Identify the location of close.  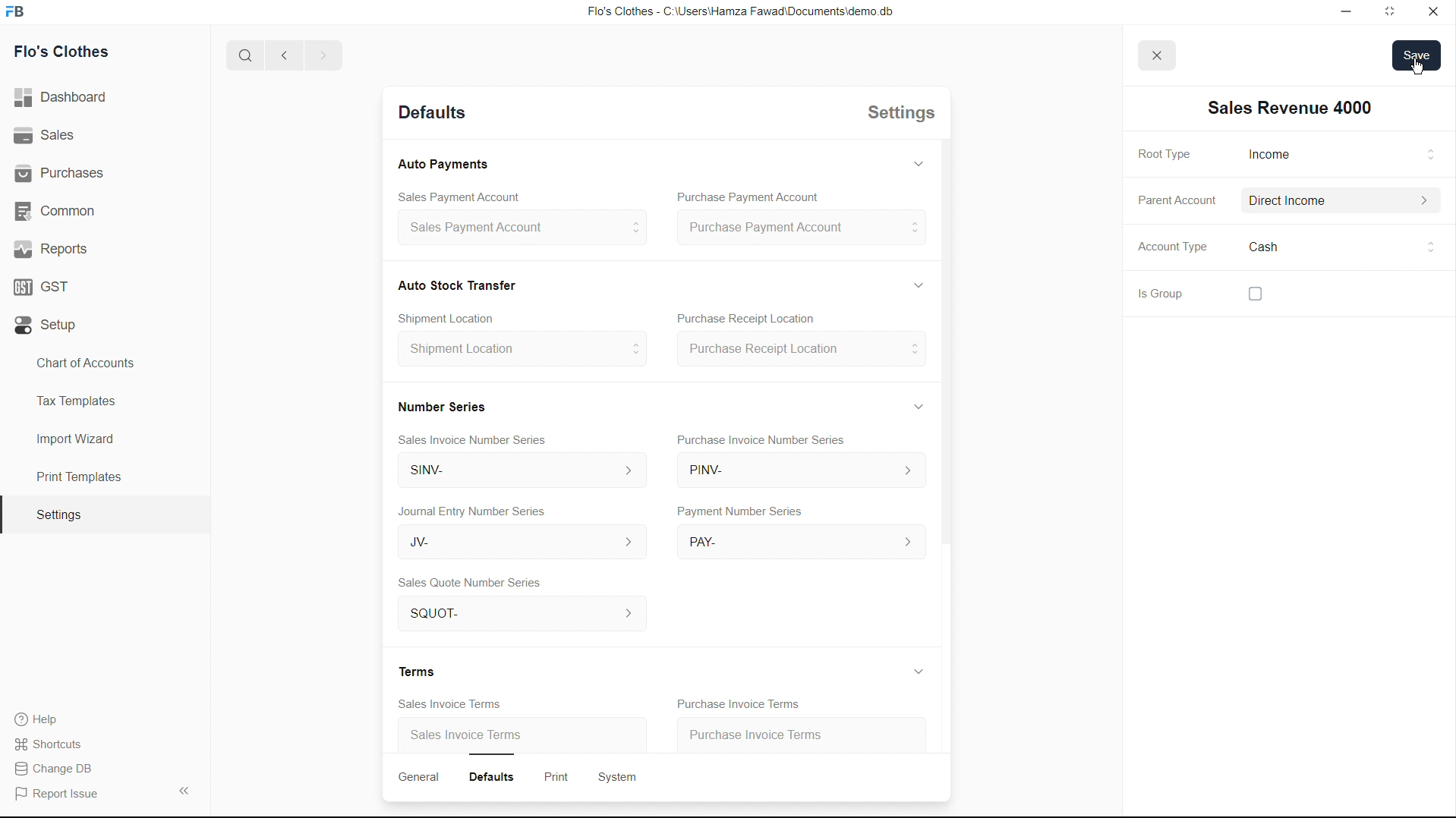
(1155, 55).